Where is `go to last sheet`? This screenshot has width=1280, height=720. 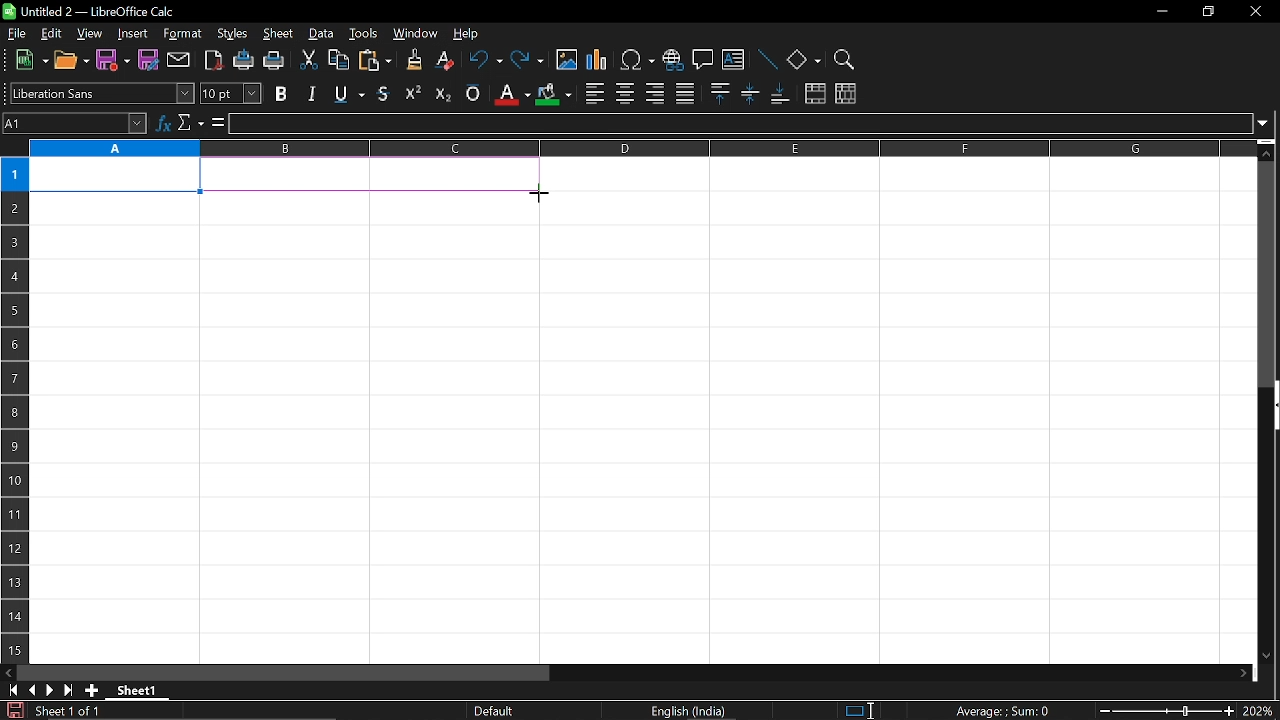 go to last sheet is located at coordinates (66, 691).